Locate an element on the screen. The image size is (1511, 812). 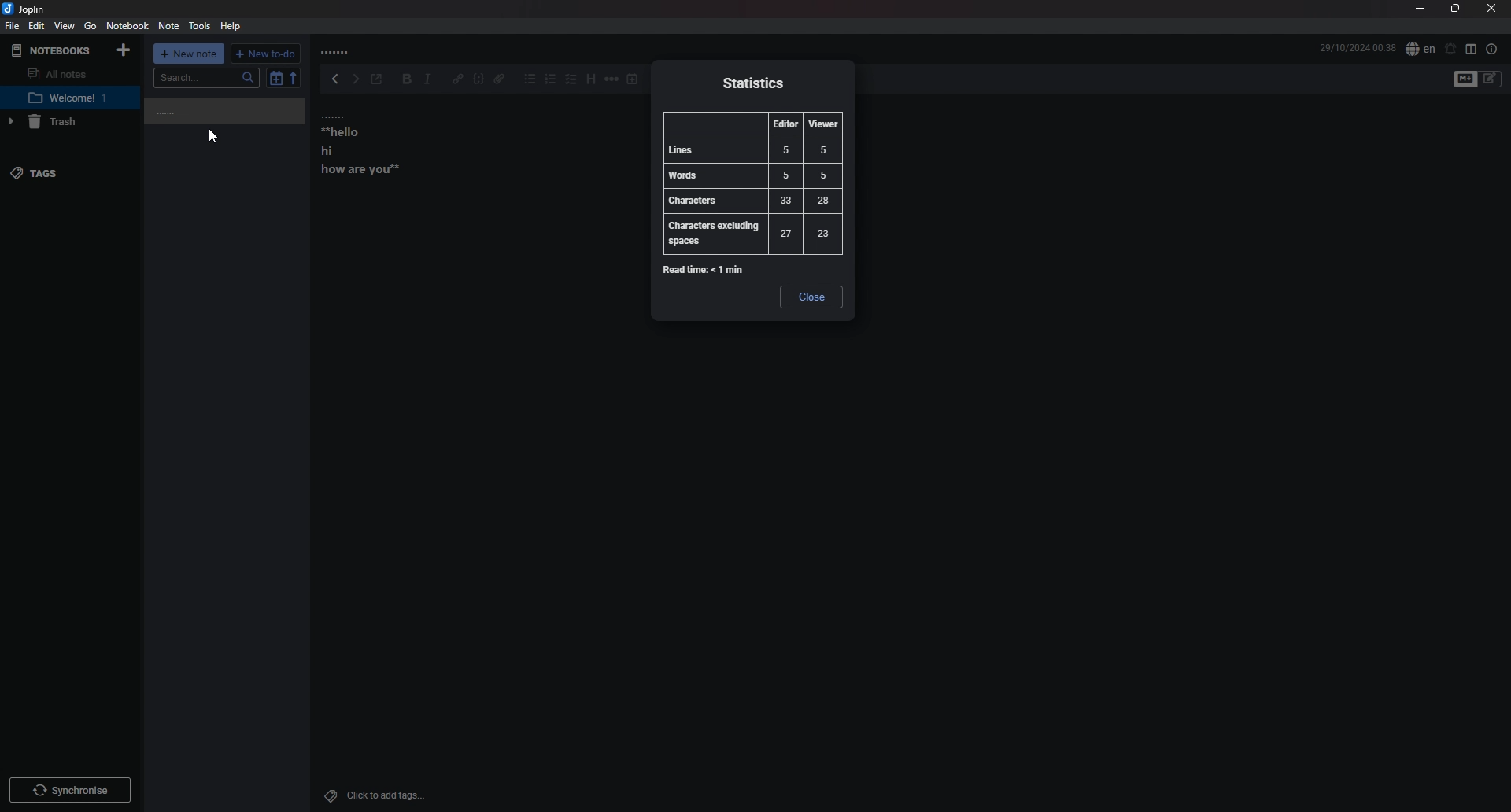
Note is located at coordinates (170, 25).